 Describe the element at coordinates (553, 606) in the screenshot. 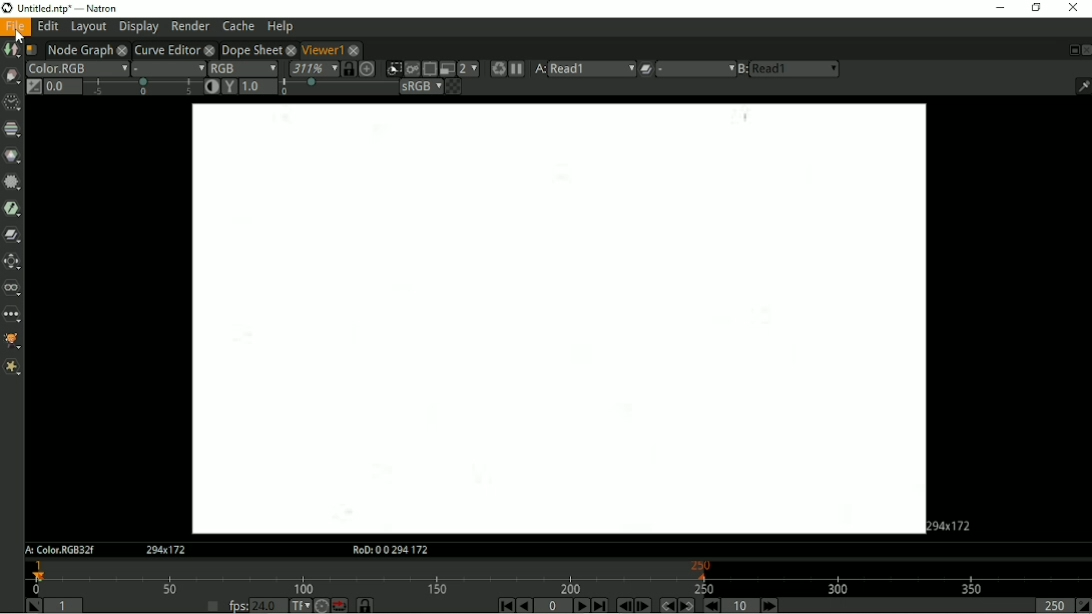

I see `Current frame` at that location.